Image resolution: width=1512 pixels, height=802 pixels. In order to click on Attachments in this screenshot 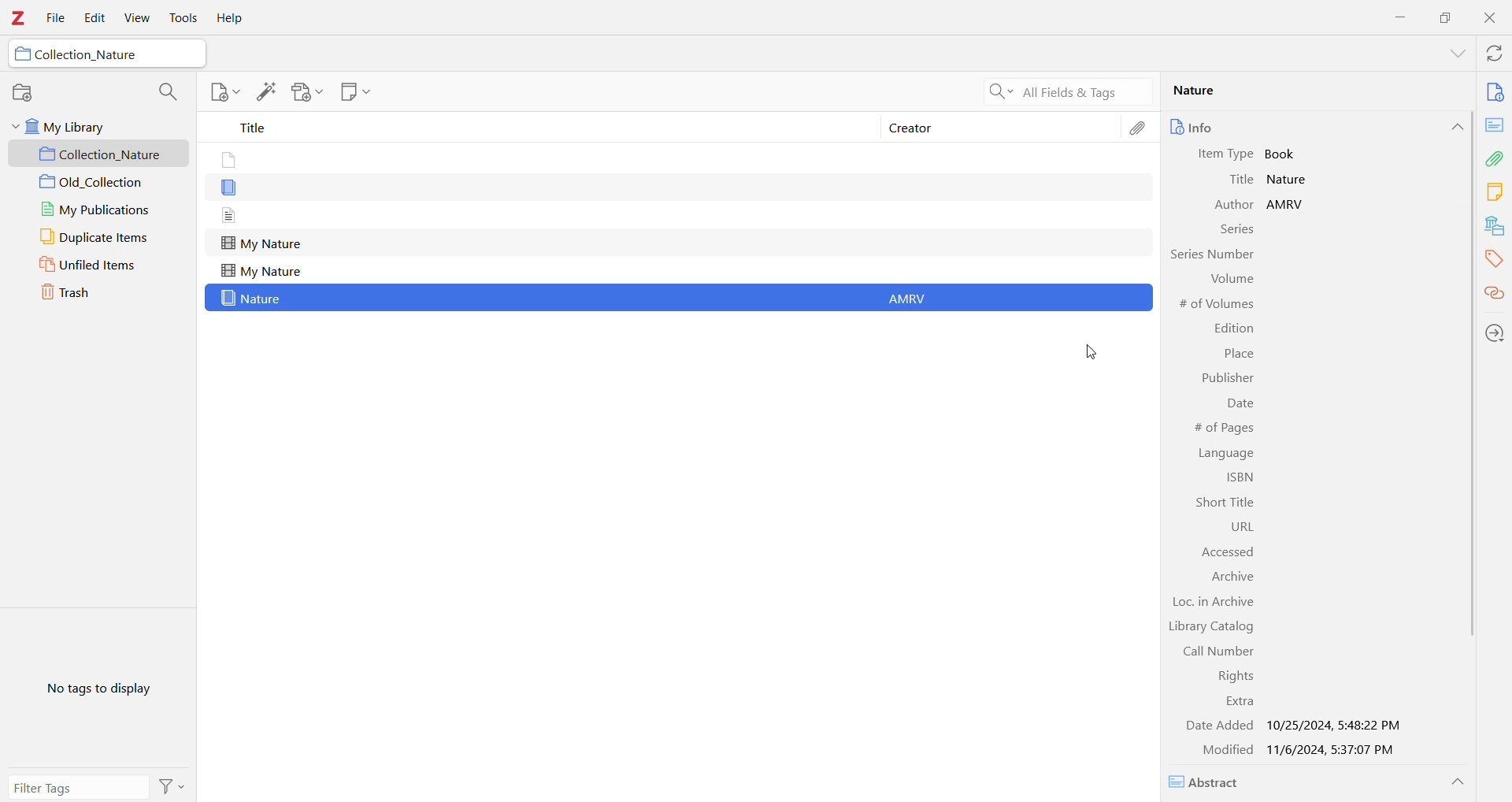, I will do `click(1140, 132)`.